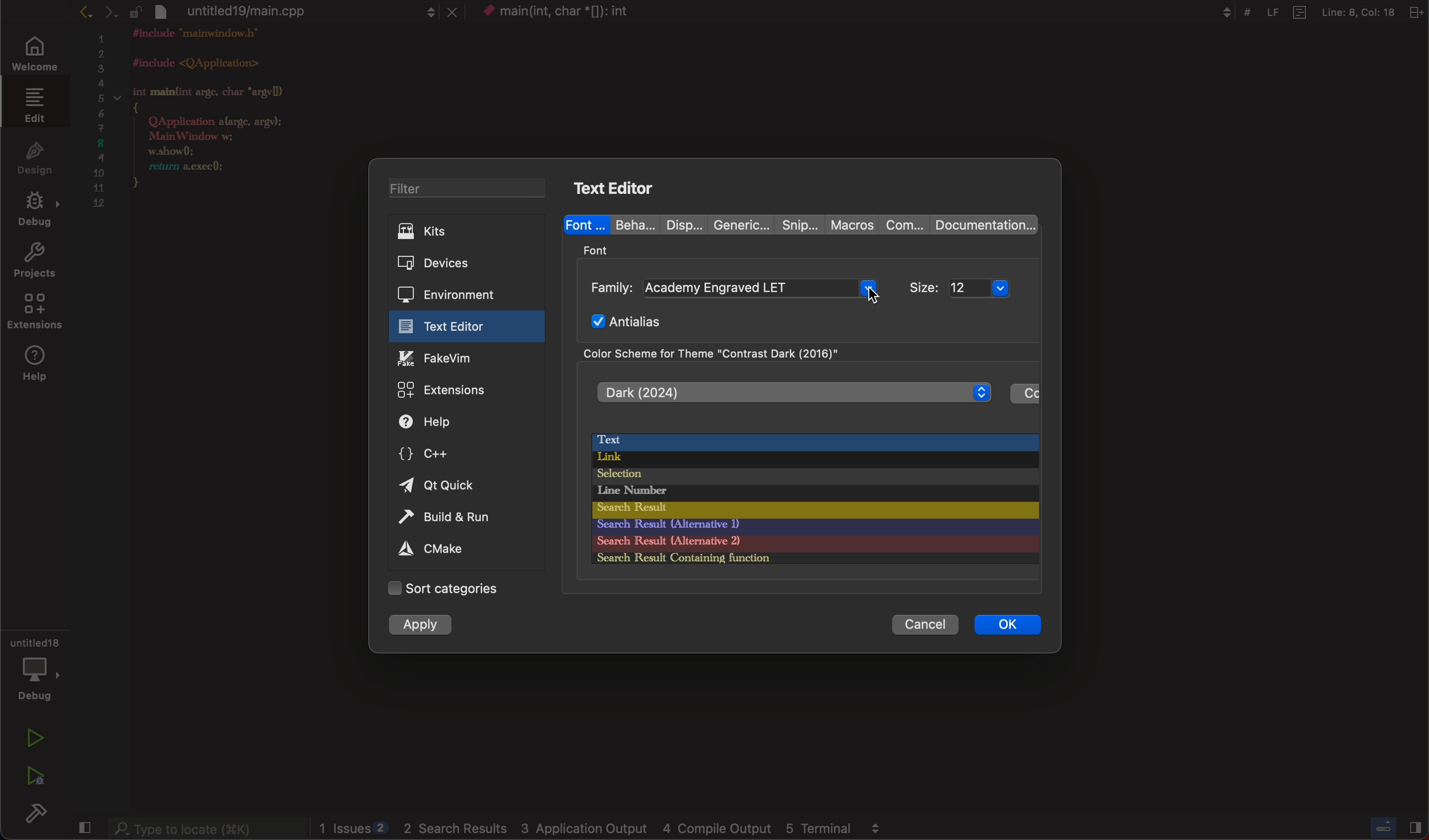  Describe the element at coordinates (36, 366) in the screenshot. I see `help` at that location.